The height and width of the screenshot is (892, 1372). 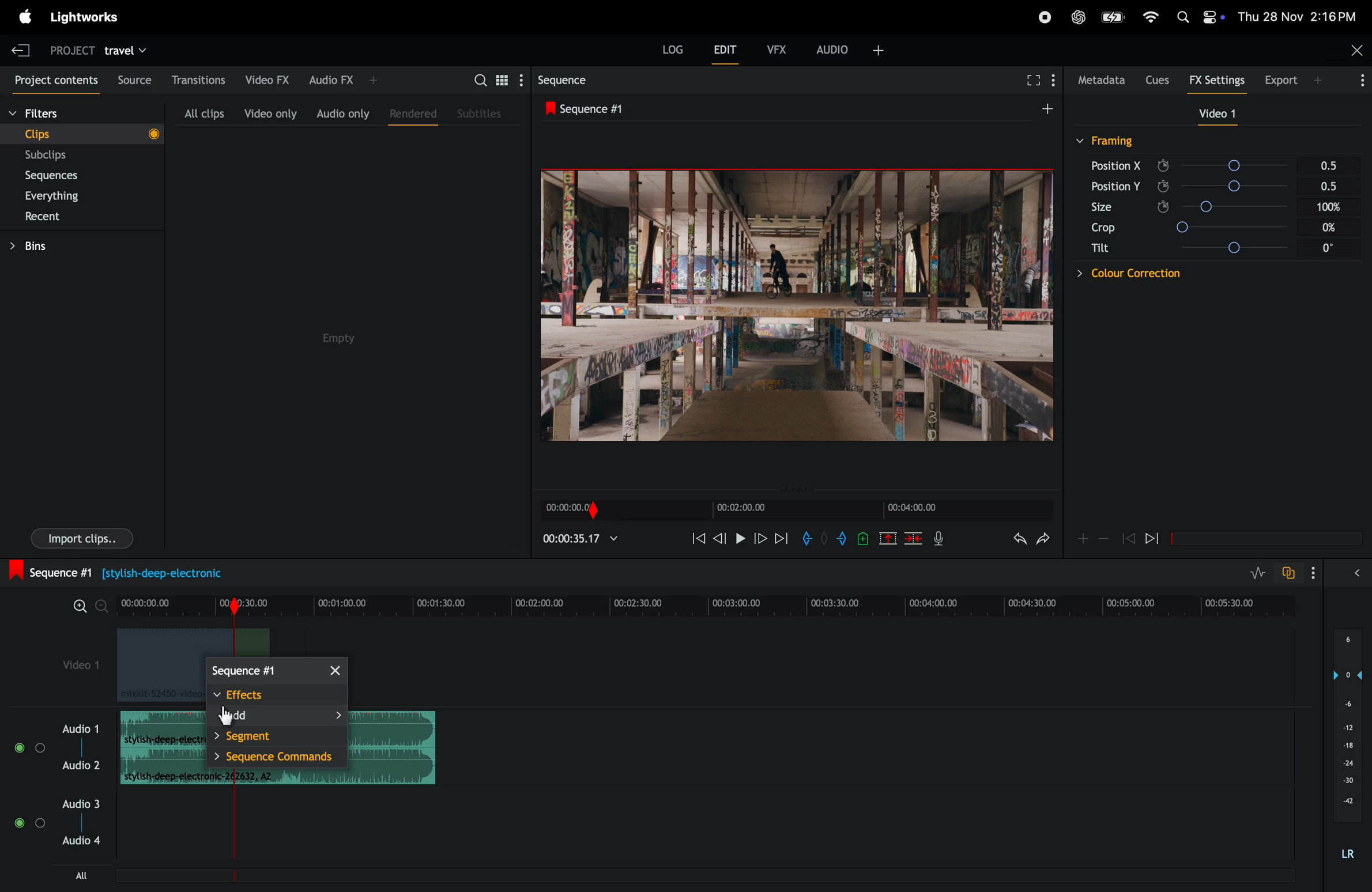 What do you see at coordinates (809, 541) in the screenshot?
I see `add in mark for currnetposition` at bounding box center [809, 541].